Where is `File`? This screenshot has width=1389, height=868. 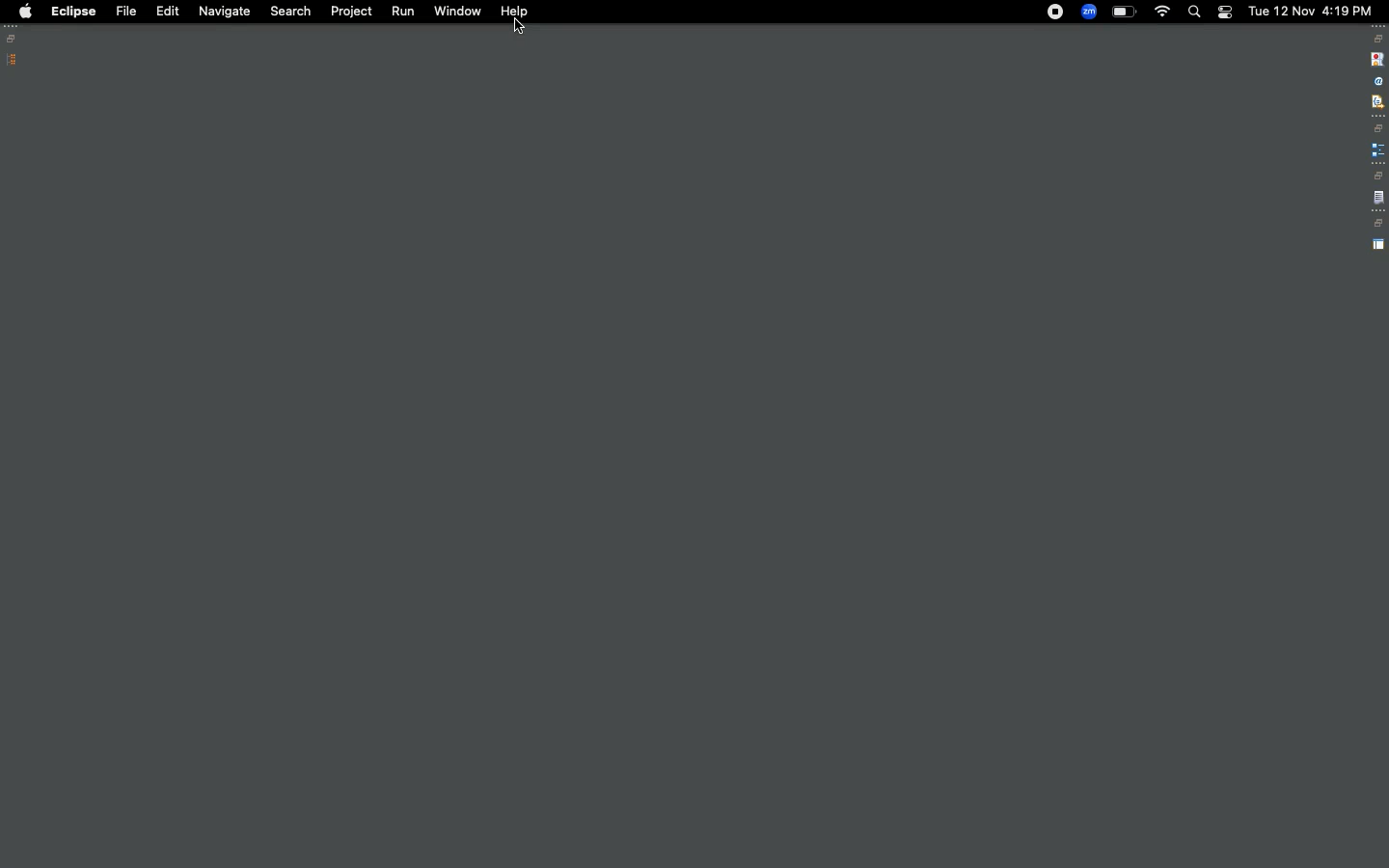
File is located at coordinates (124, 11).